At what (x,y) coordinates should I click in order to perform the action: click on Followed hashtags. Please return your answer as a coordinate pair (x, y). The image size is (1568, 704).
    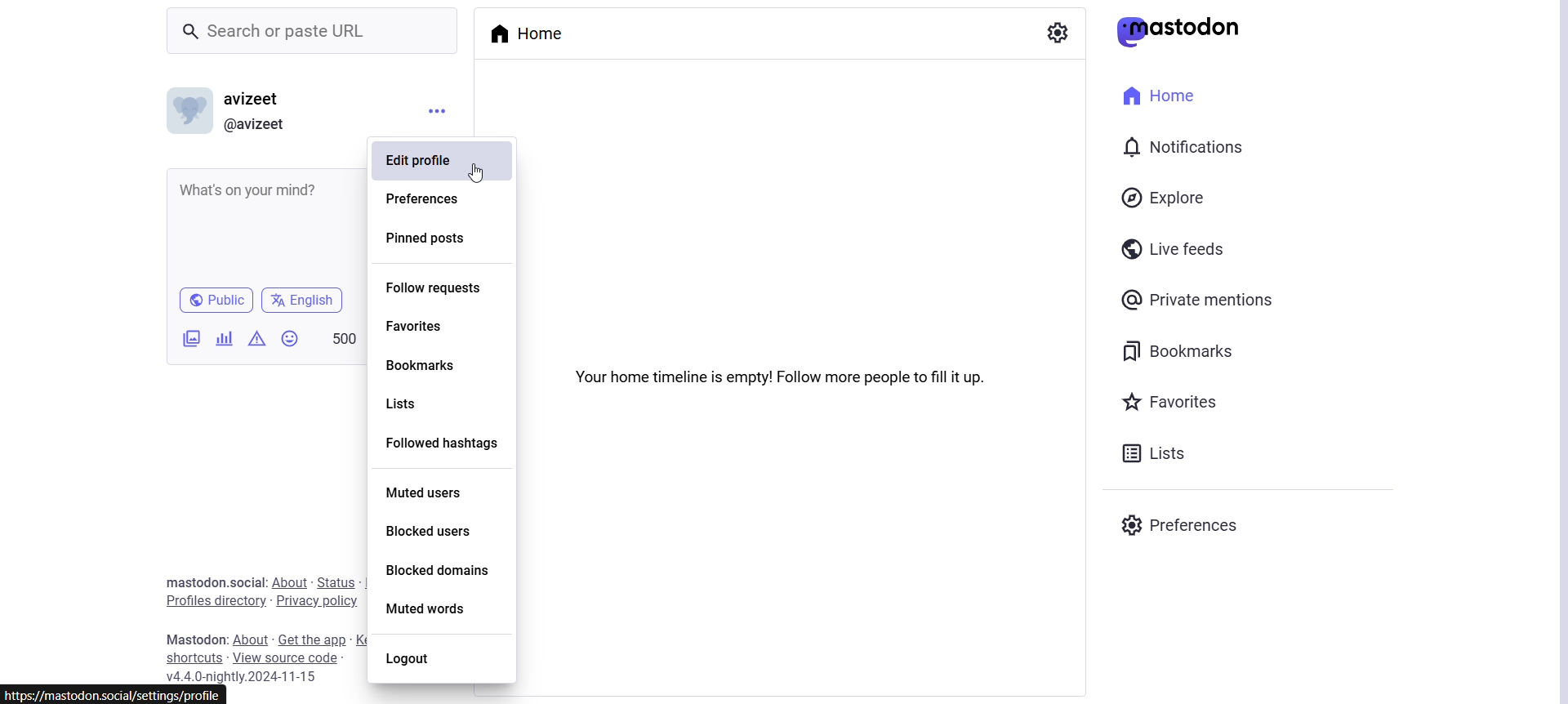
    Looking at the image, I should click on (442, 442).